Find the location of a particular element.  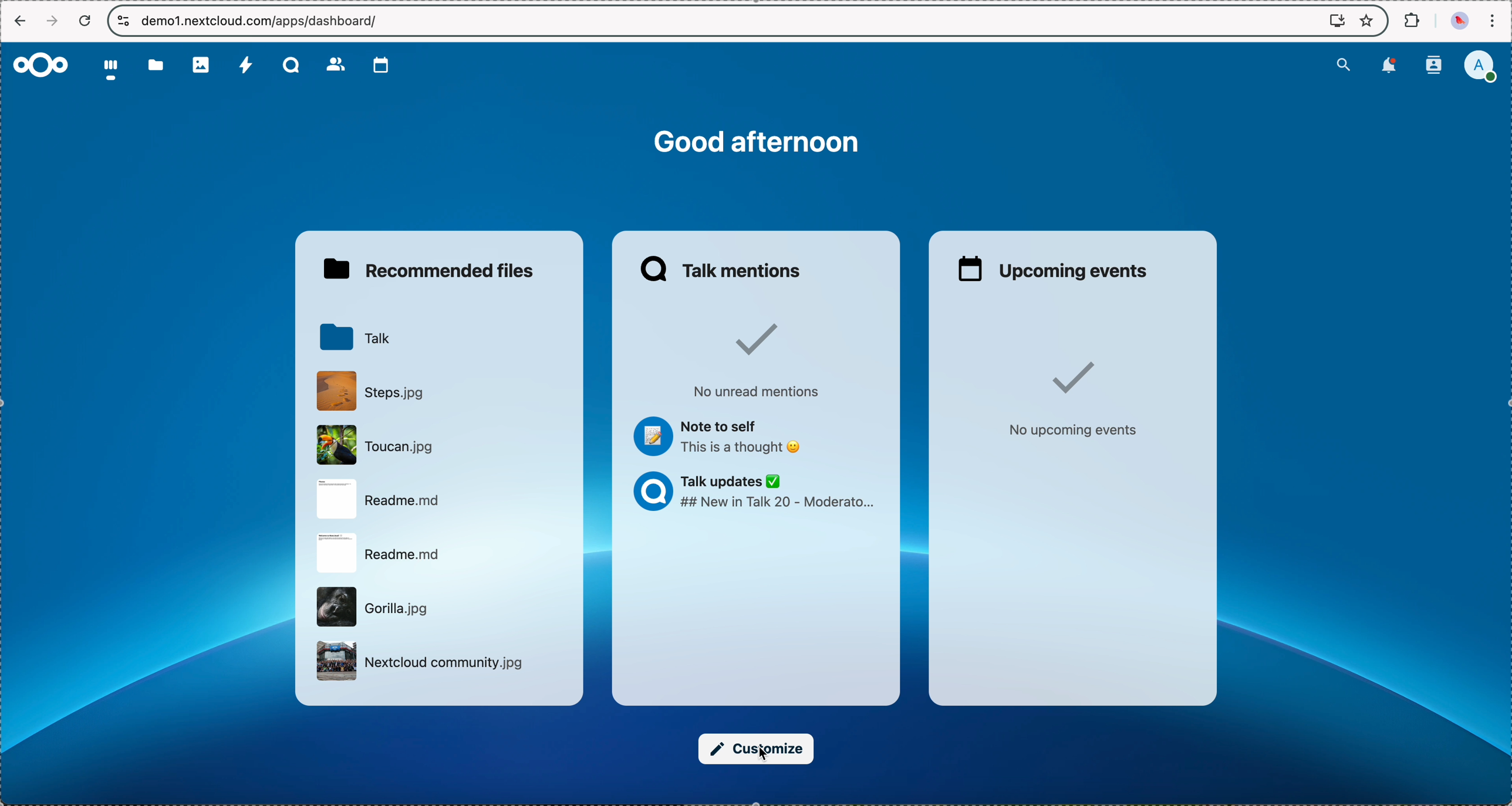

customize and control Google Chrome is located at coordinates (1496, 19).